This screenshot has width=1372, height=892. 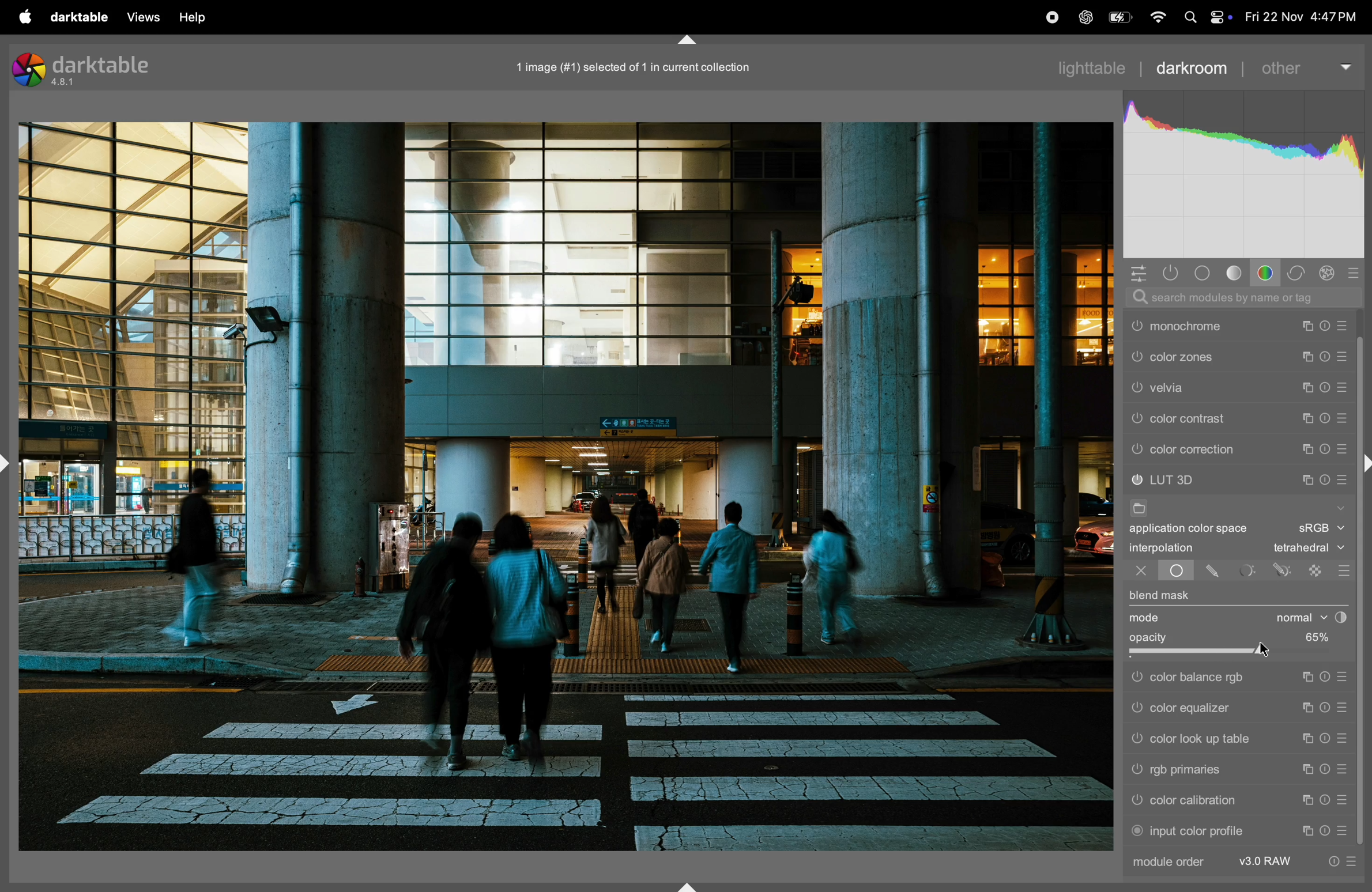 What do you see at coordinates (1203, 831) in the screenshot?
I see `input color profile` at bounding box center [1203, 831].